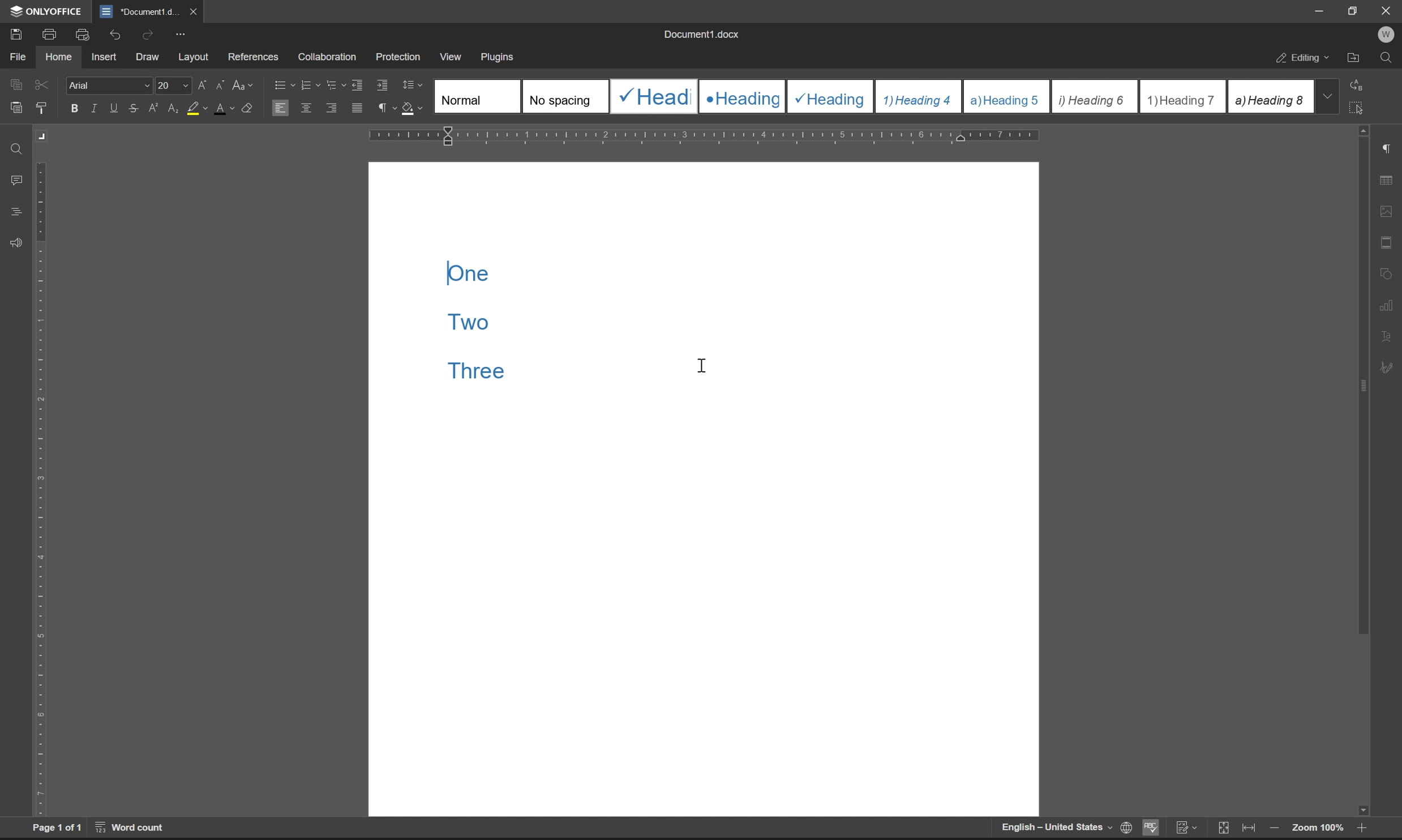 This screenshot has height=840, width=1402. I want to click on Margin, so click(44, 136).